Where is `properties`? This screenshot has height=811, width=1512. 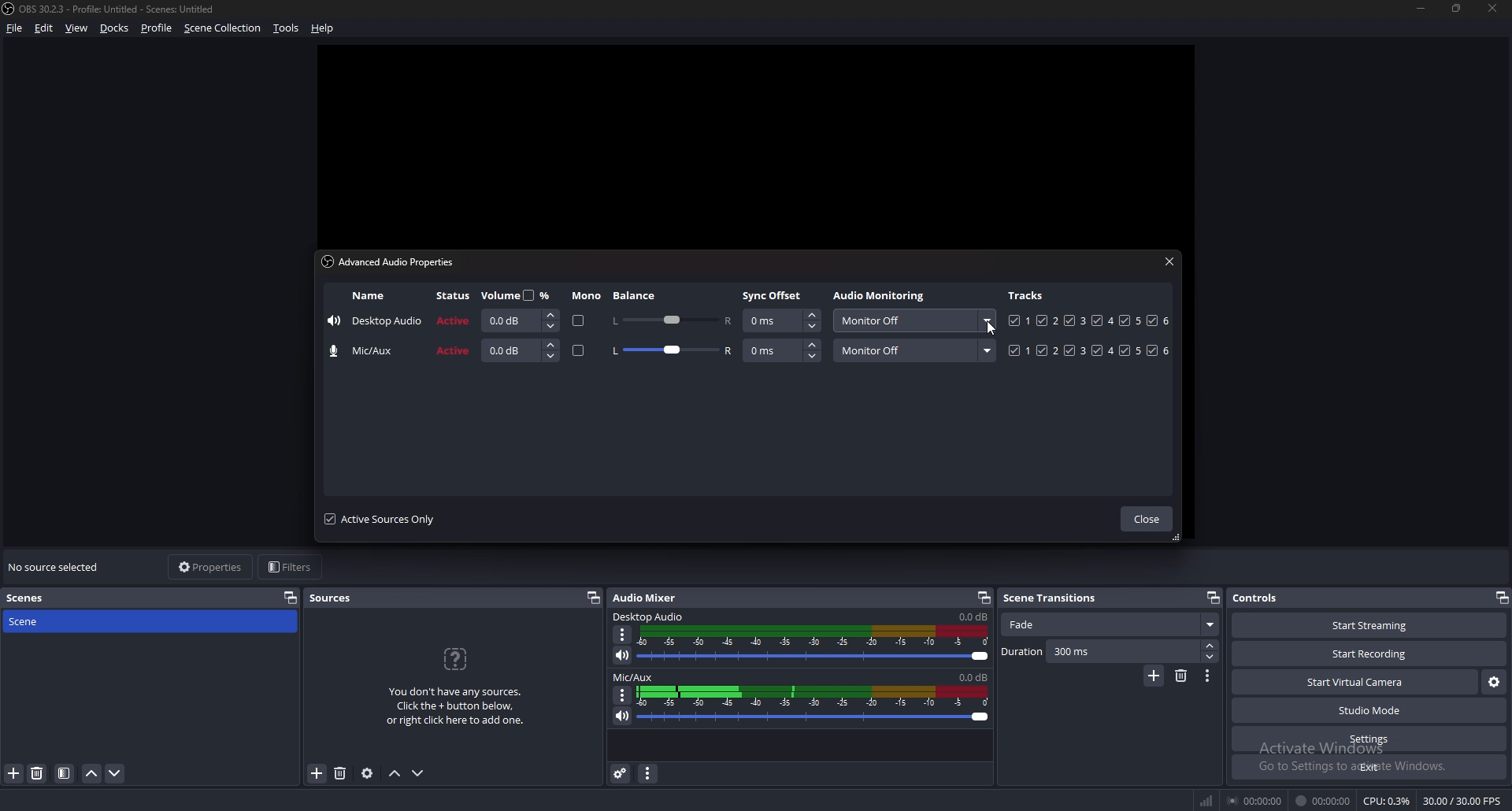
properties is located at coordinates (209, 567).